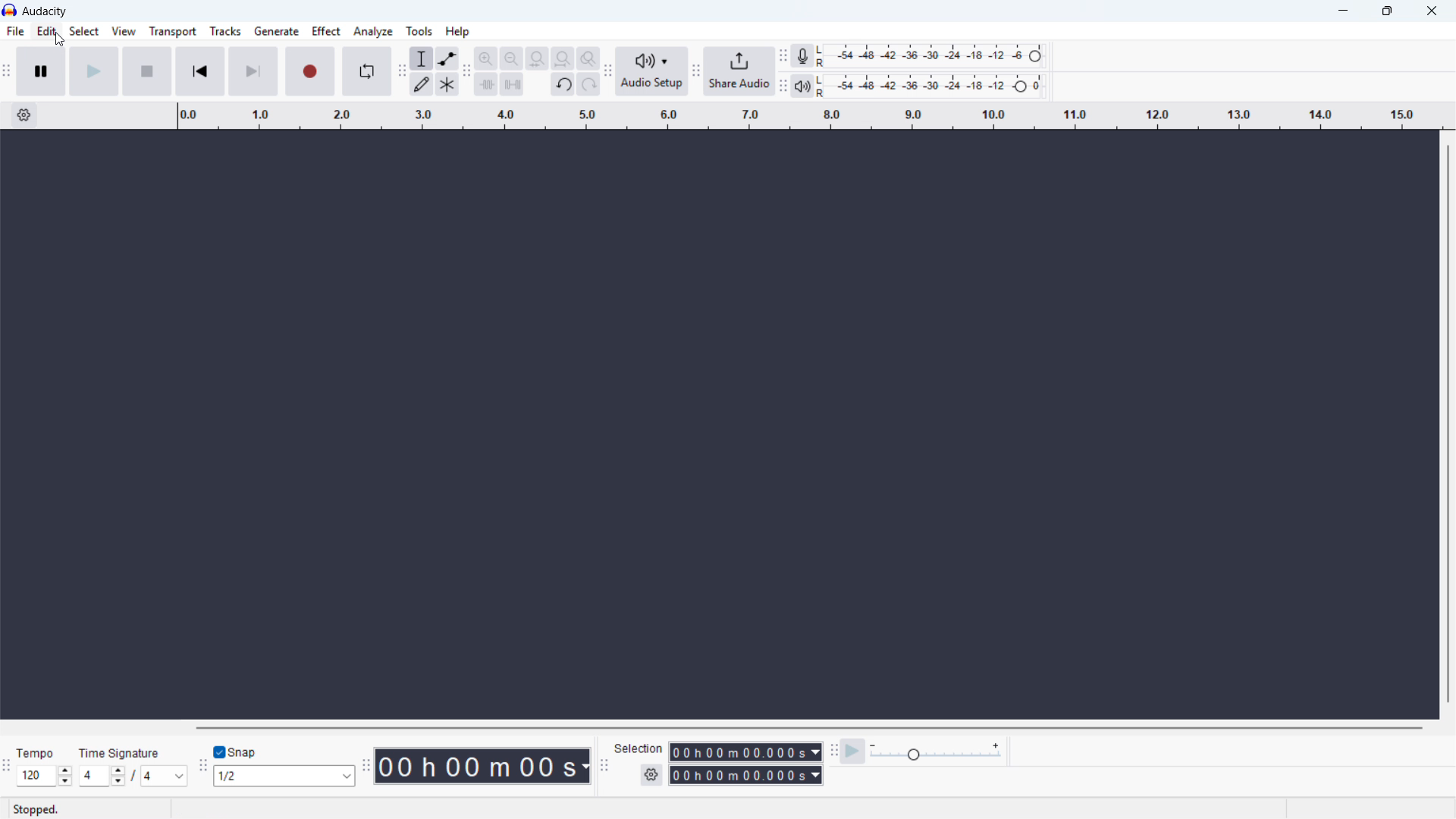  I want to click on share audio, so click(739, 71).